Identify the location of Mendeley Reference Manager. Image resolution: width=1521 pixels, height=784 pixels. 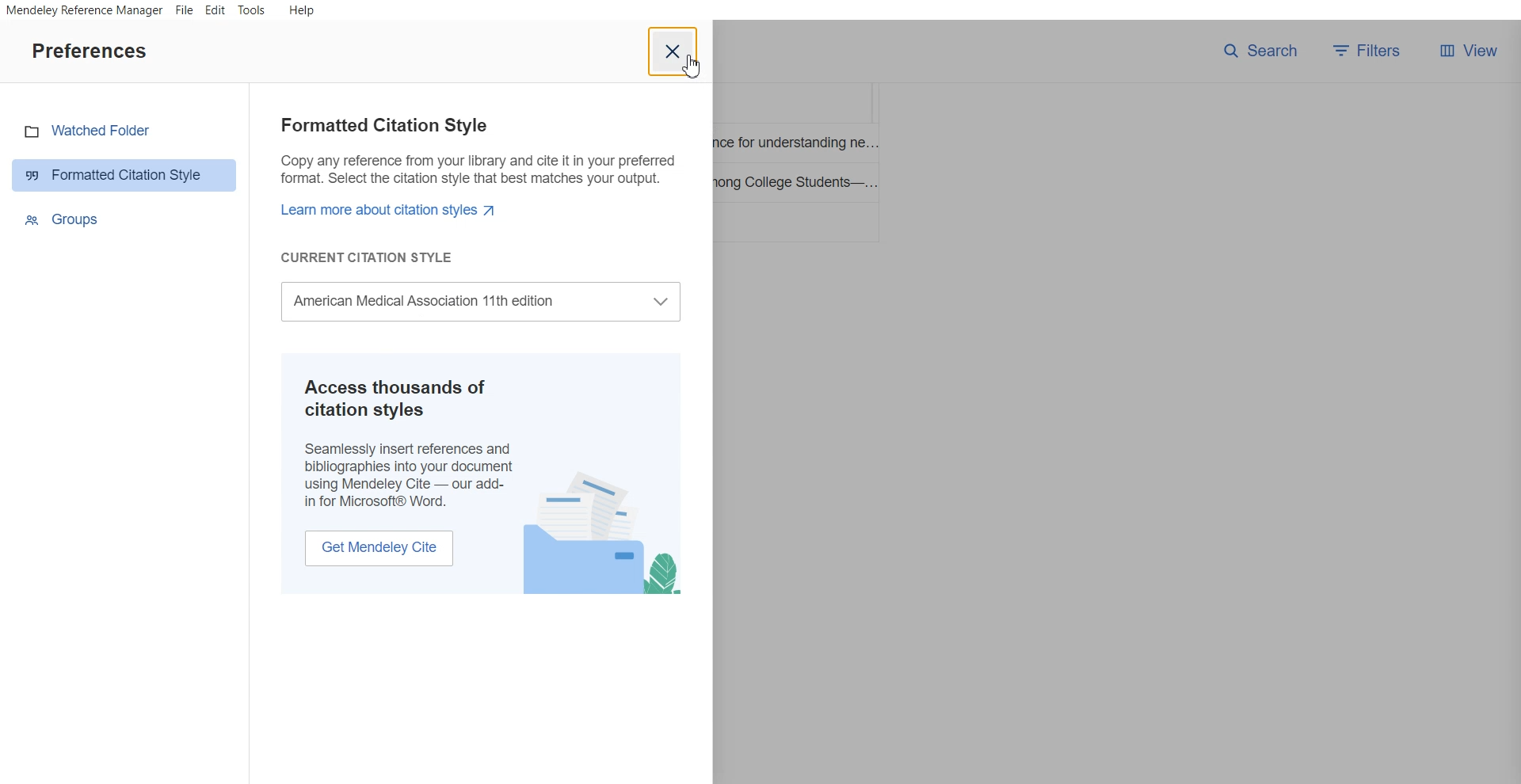
(83, 11).